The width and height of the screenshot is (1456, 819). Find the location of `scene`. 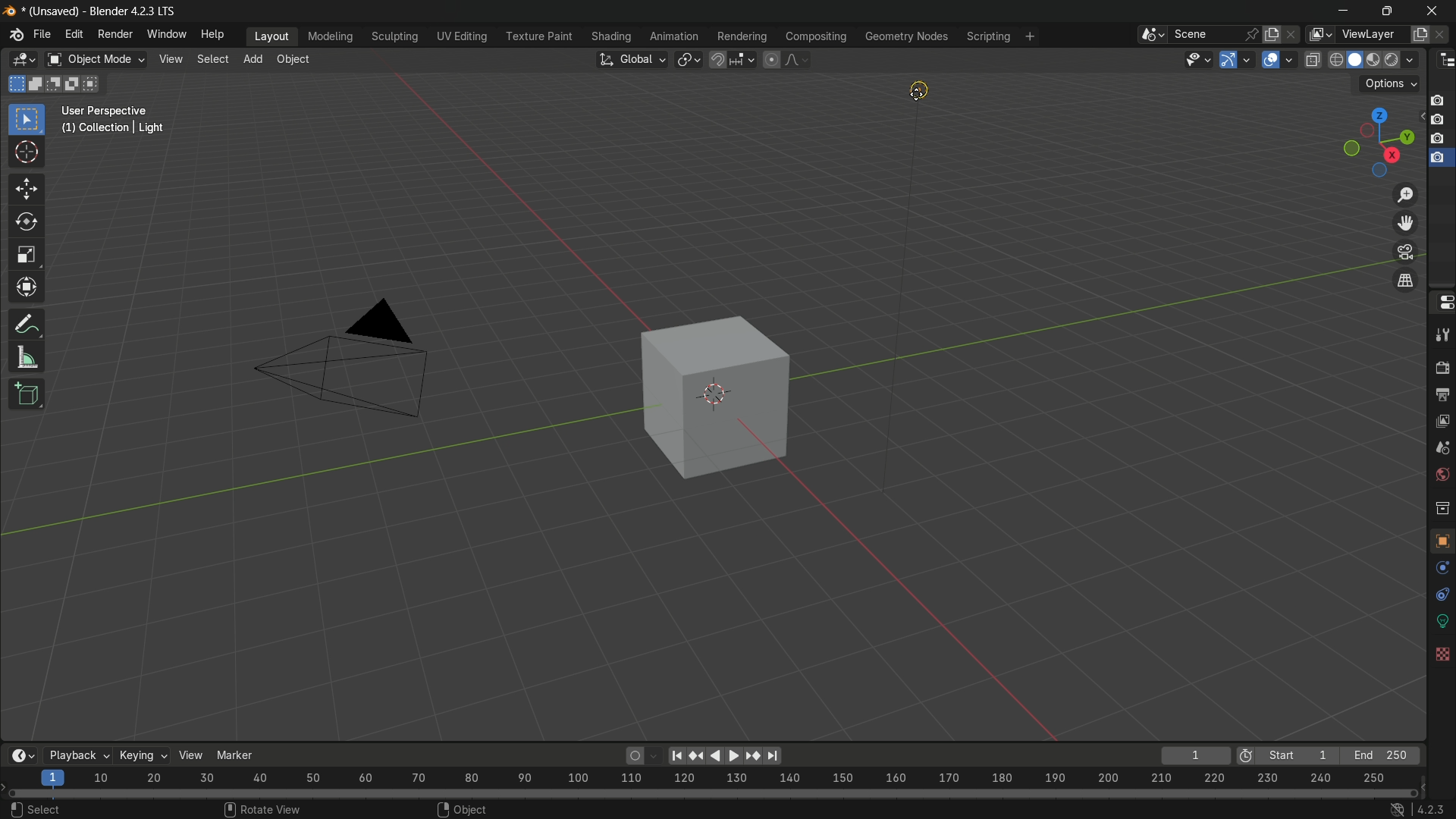

scene is located at coordinates (1442, 447).